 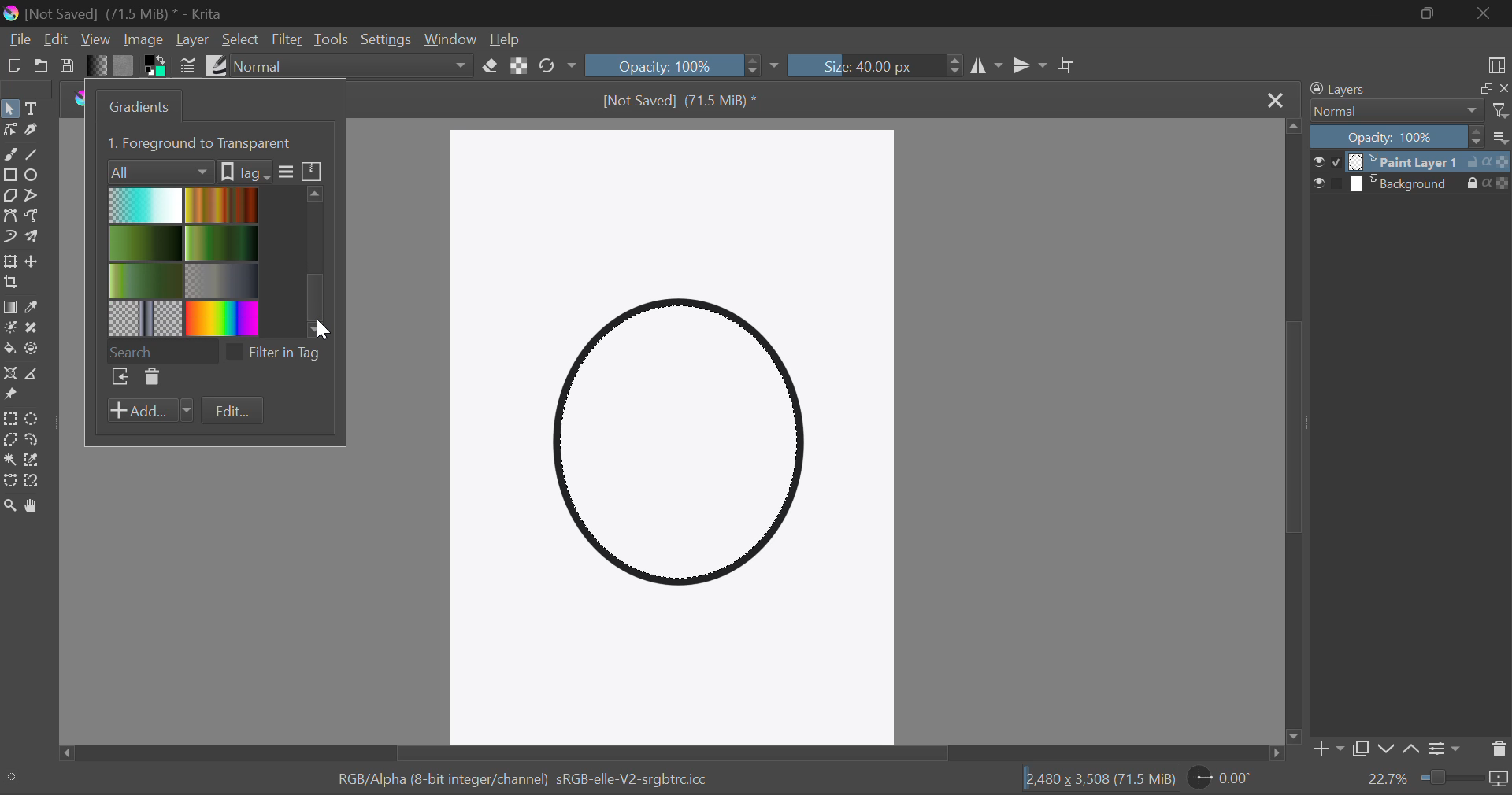 What do you see at coordinates (1488, 14) in the screenshot?
I see `Close` at bounding box center [1488, 14].